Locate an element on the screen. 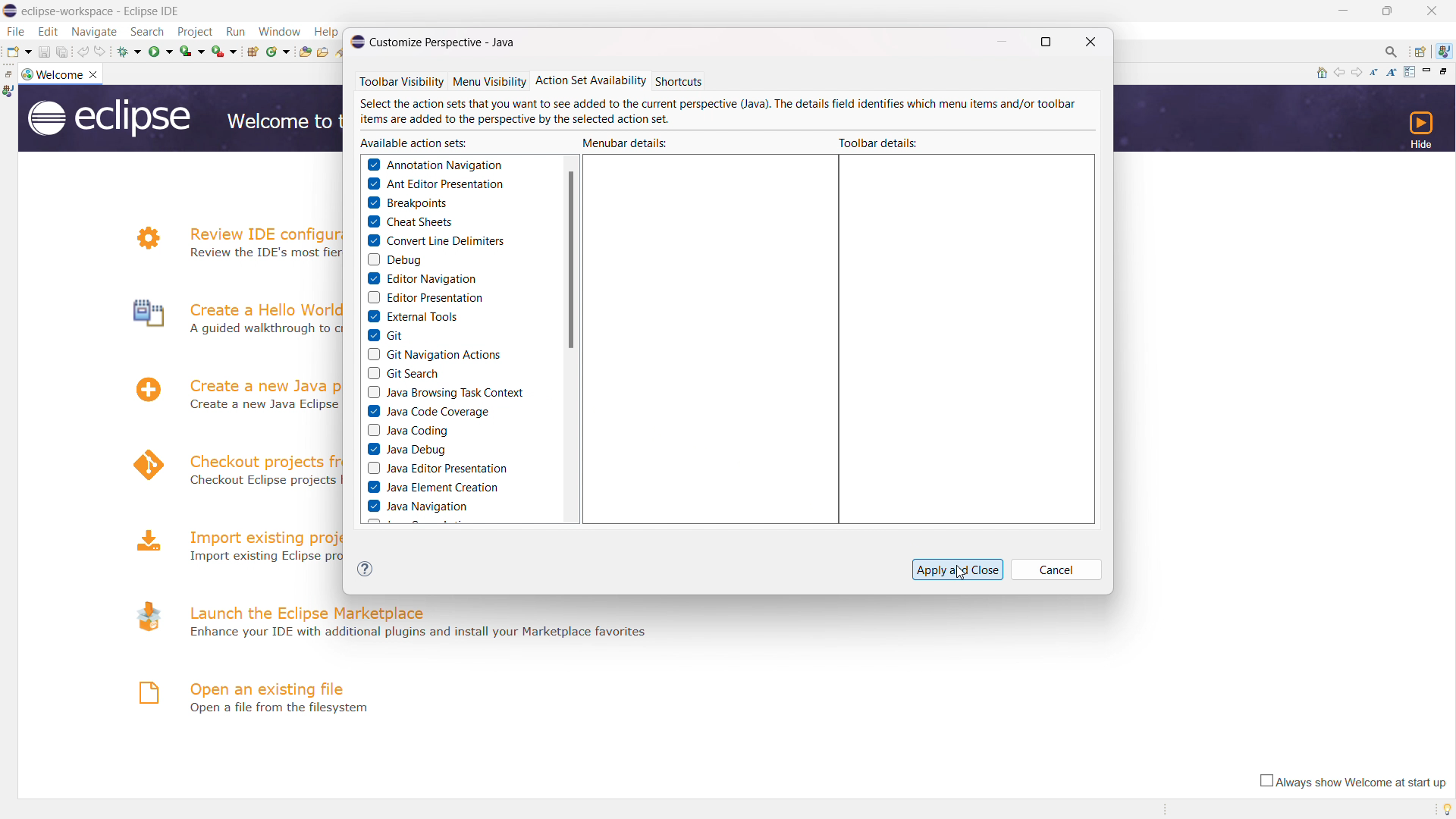 The width and height of the screenshot is (1456, 819). editor presentation is located at coordinates (422, 297).